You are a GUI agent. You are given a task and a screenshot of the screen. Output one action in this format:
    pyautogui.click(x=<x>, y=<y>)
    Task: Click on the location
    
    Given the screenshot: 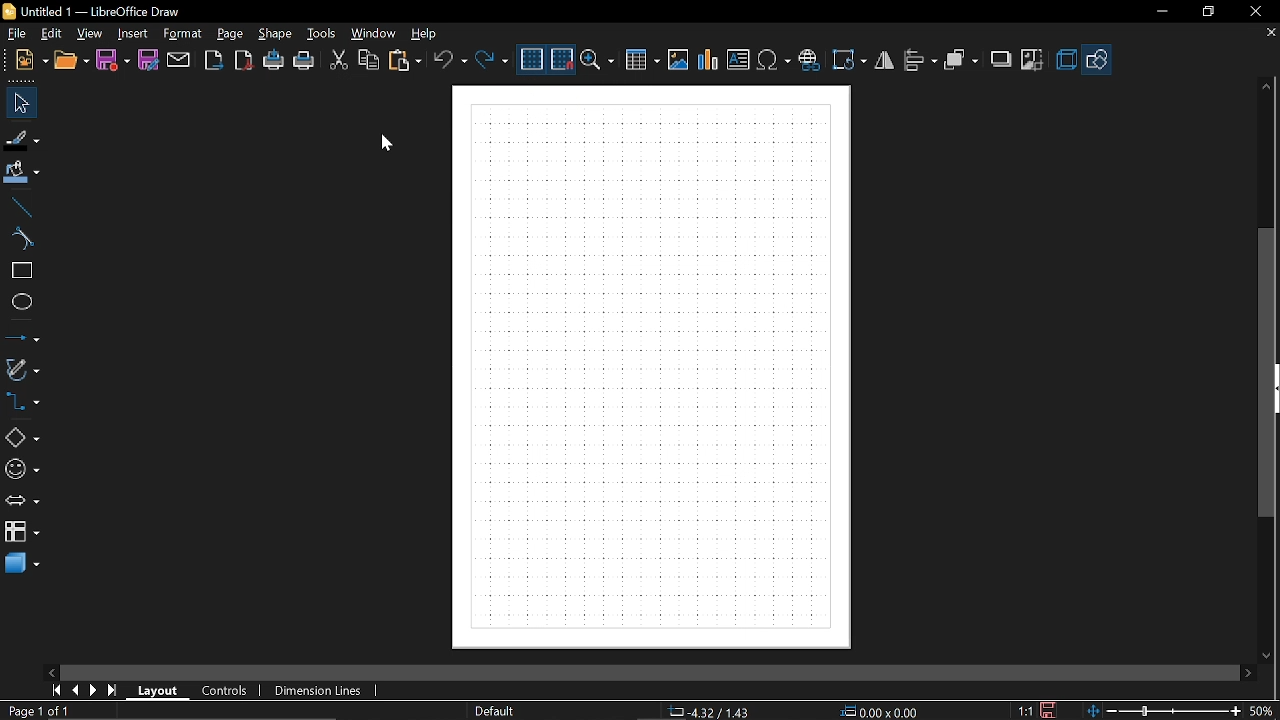 What is the action you would take?
    pyautogui.click(x=882, y=712)
    